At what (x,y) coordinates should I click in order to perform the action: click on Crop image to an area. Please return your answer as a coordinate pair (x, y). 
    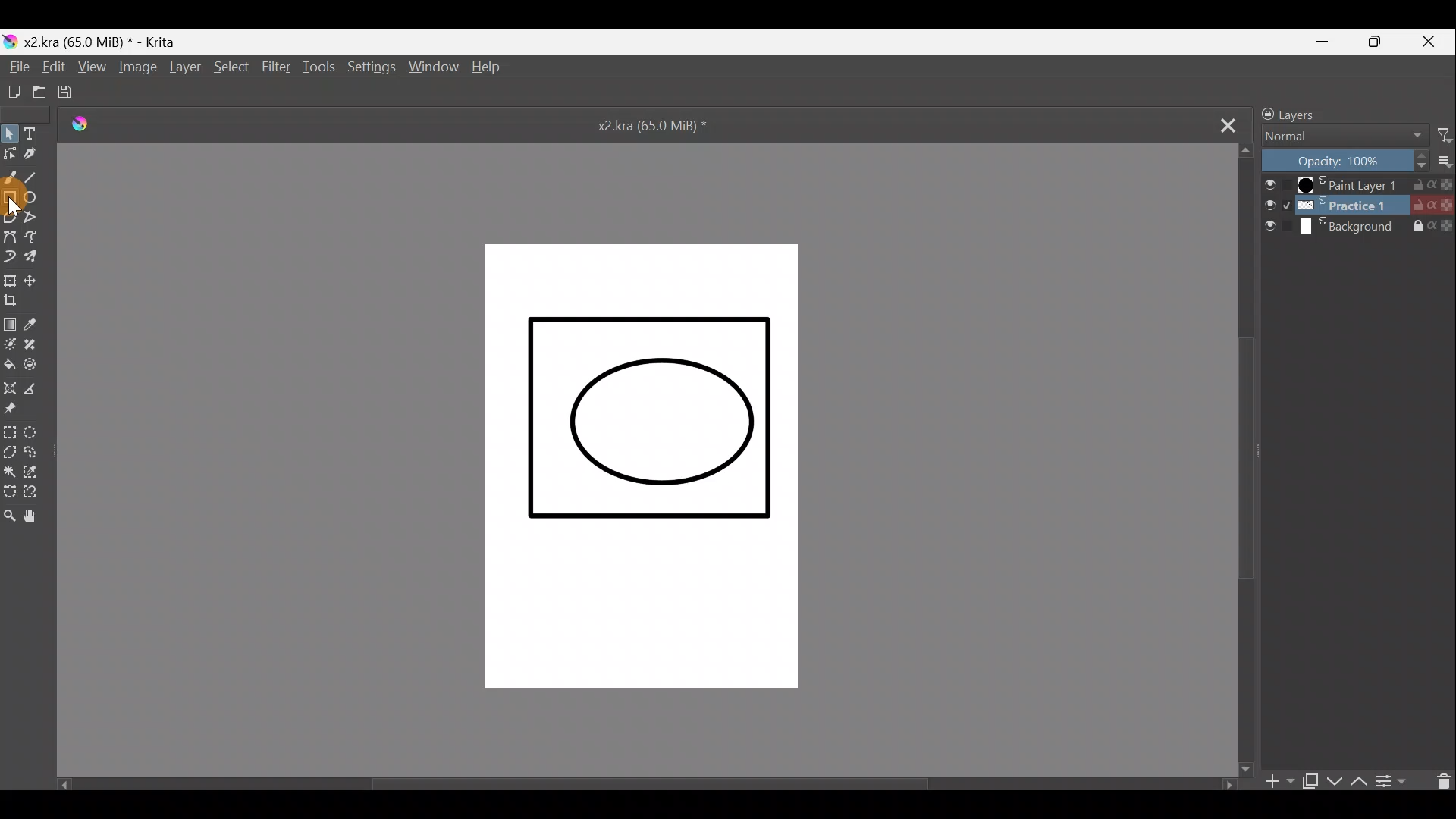
    Looking at the image, I should click on (17, 300).